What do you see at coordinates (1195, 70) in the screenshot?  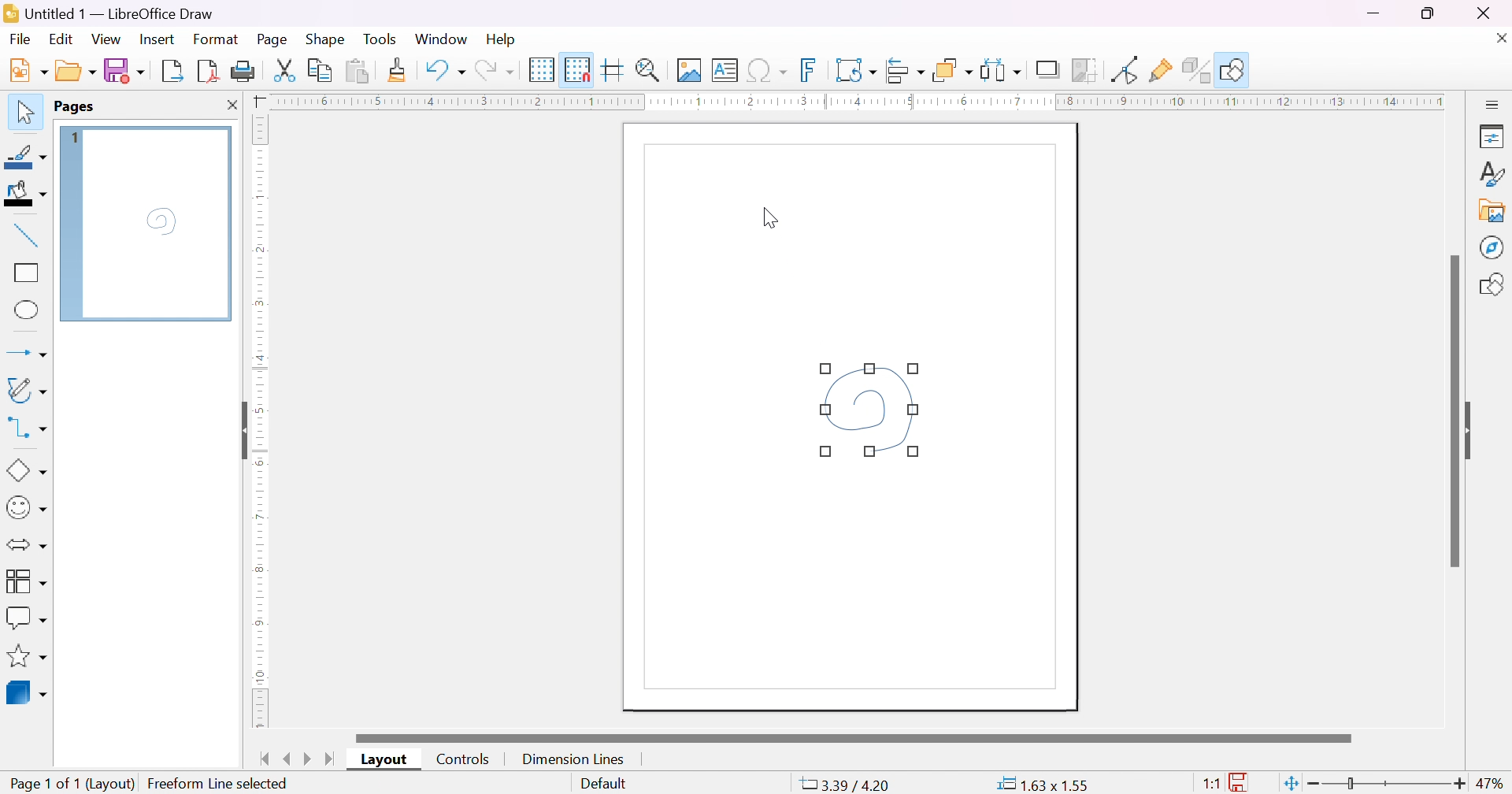 I see `toggle extrusion` at bounding box center [1195, 70].